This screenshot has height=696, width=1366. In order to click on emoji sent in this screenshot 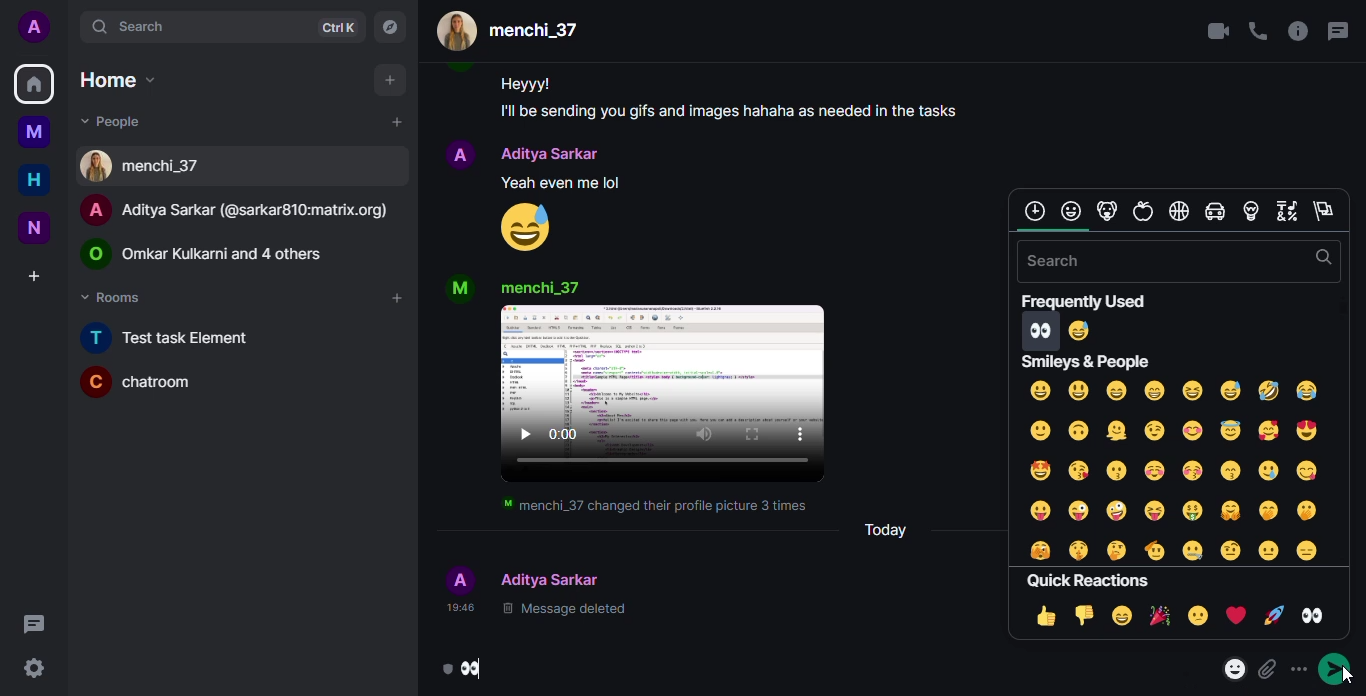, I will do `click(467, 668)`.